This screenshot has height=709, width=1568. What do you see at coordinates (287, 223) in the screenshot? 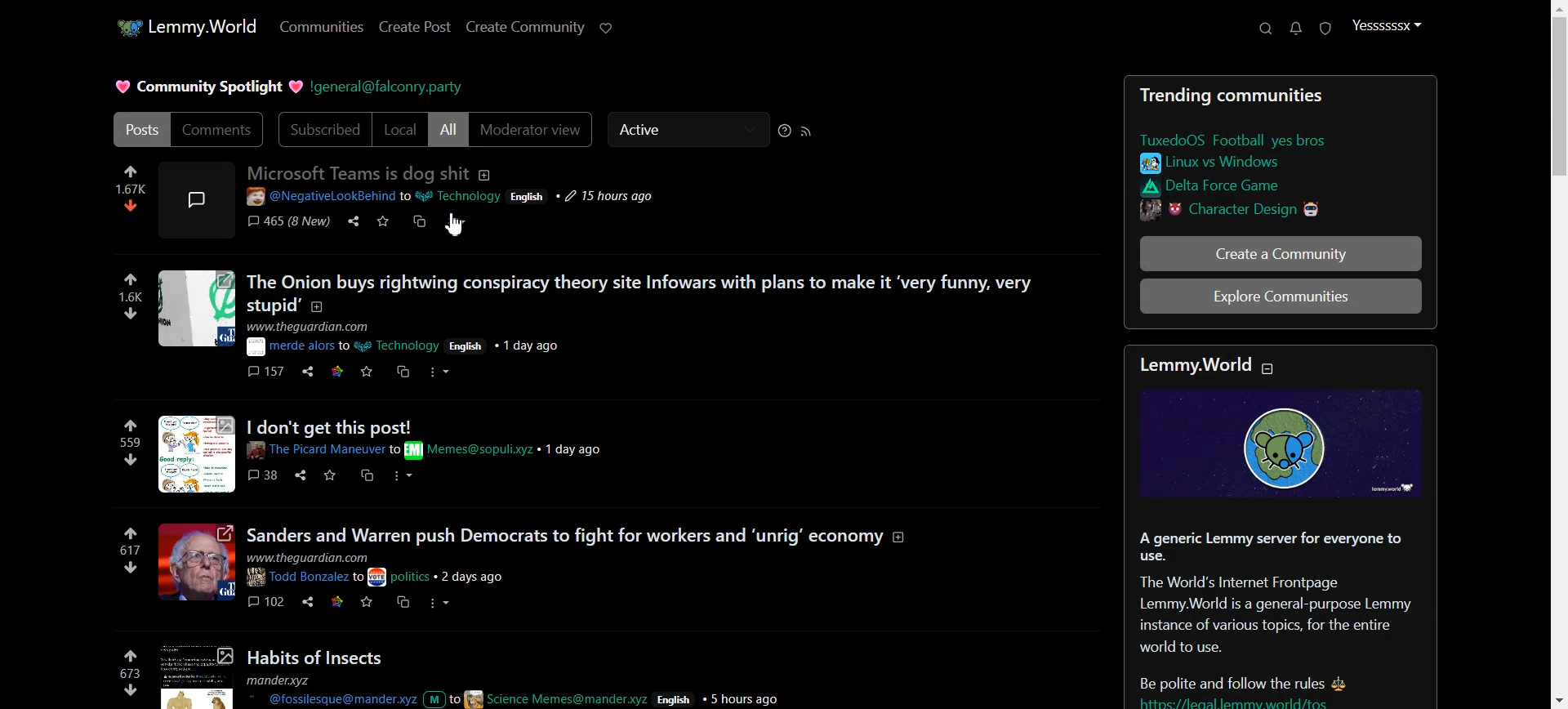
I see `comments` at bounding box center [287, 223].